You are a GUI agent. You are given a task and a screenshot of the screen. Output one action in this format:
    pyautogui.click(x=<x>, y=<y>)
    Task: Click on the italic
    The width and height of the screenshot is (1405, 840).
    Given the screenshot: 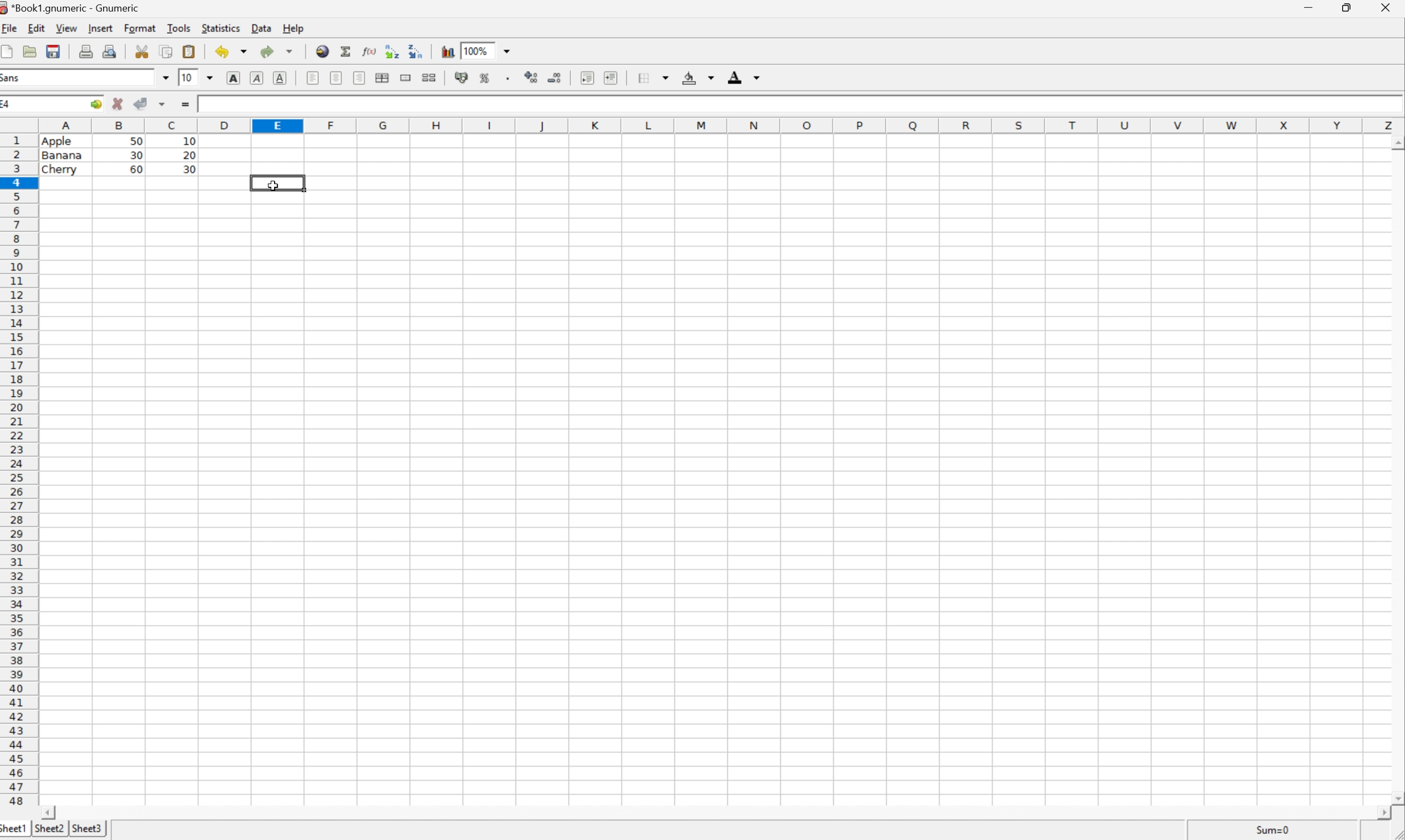 What is the action you would take?
    pyautogui.click(x=258, y=78)
    